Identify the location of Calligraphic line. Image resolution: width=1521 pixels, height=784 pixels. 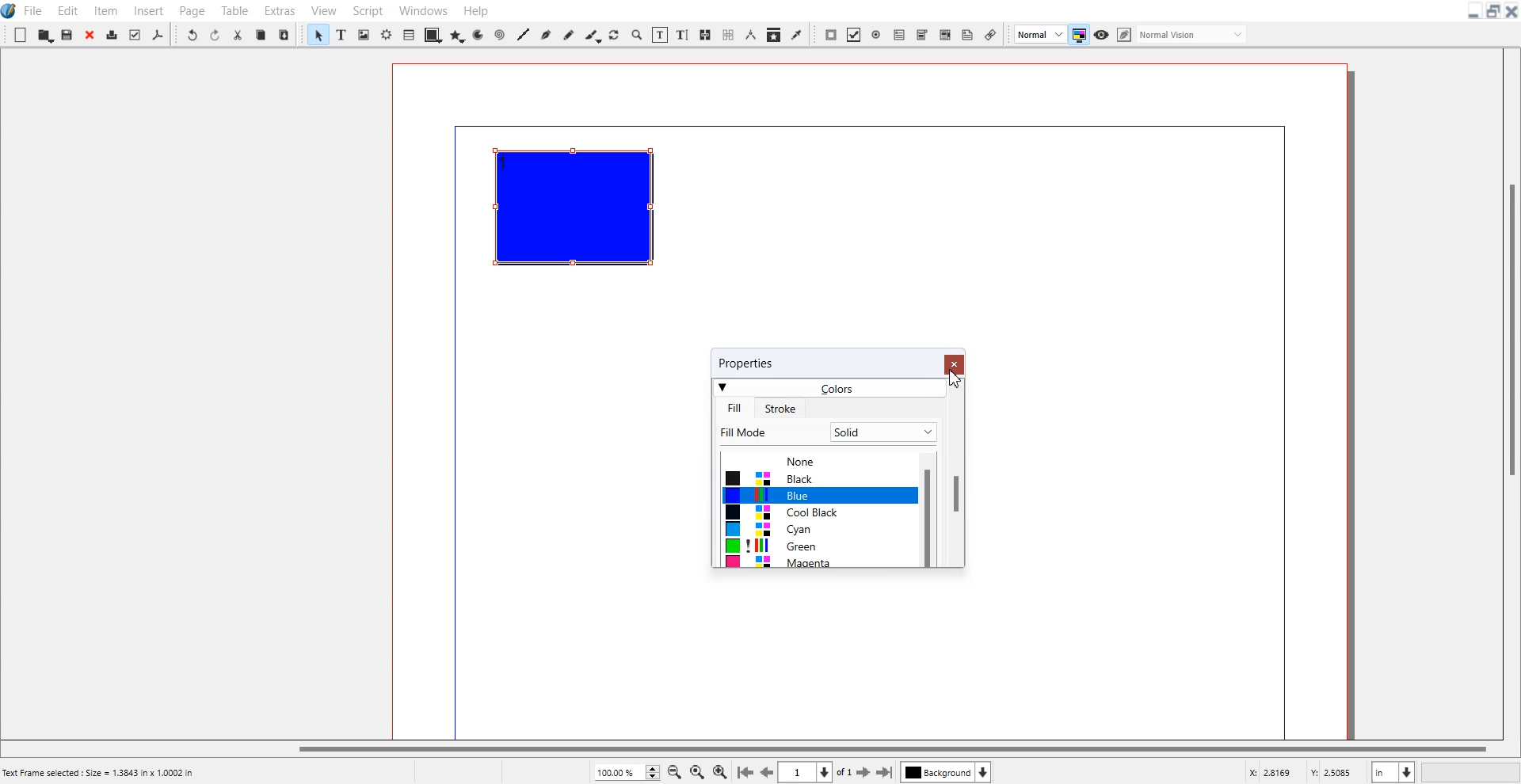
(592, 35).